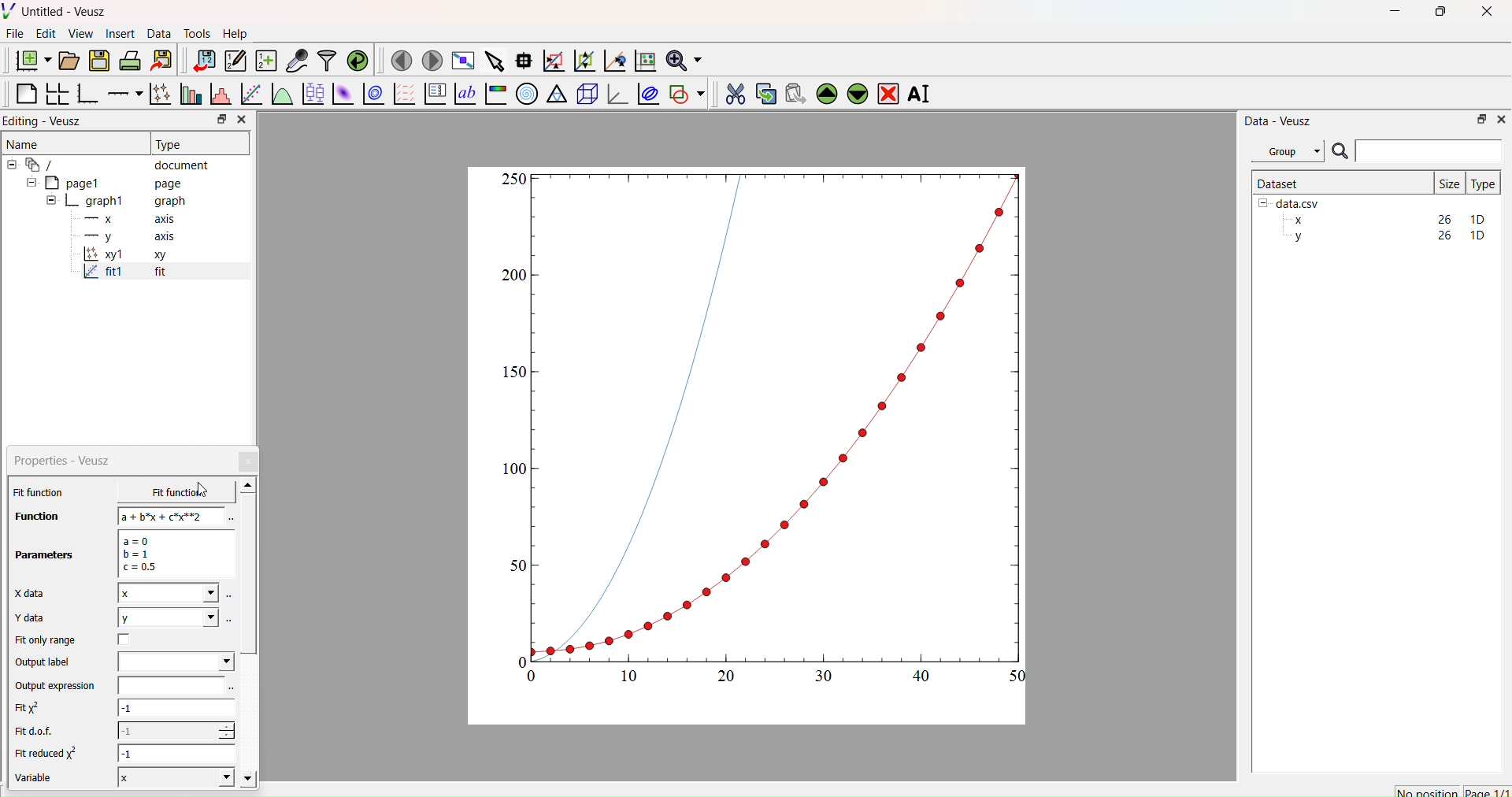 The width and height of the screenshot is (1512, 797). What do you see at coordinates (105, 182) in the screenshot?
I see `page1 page` at bounding box center [105, 182].